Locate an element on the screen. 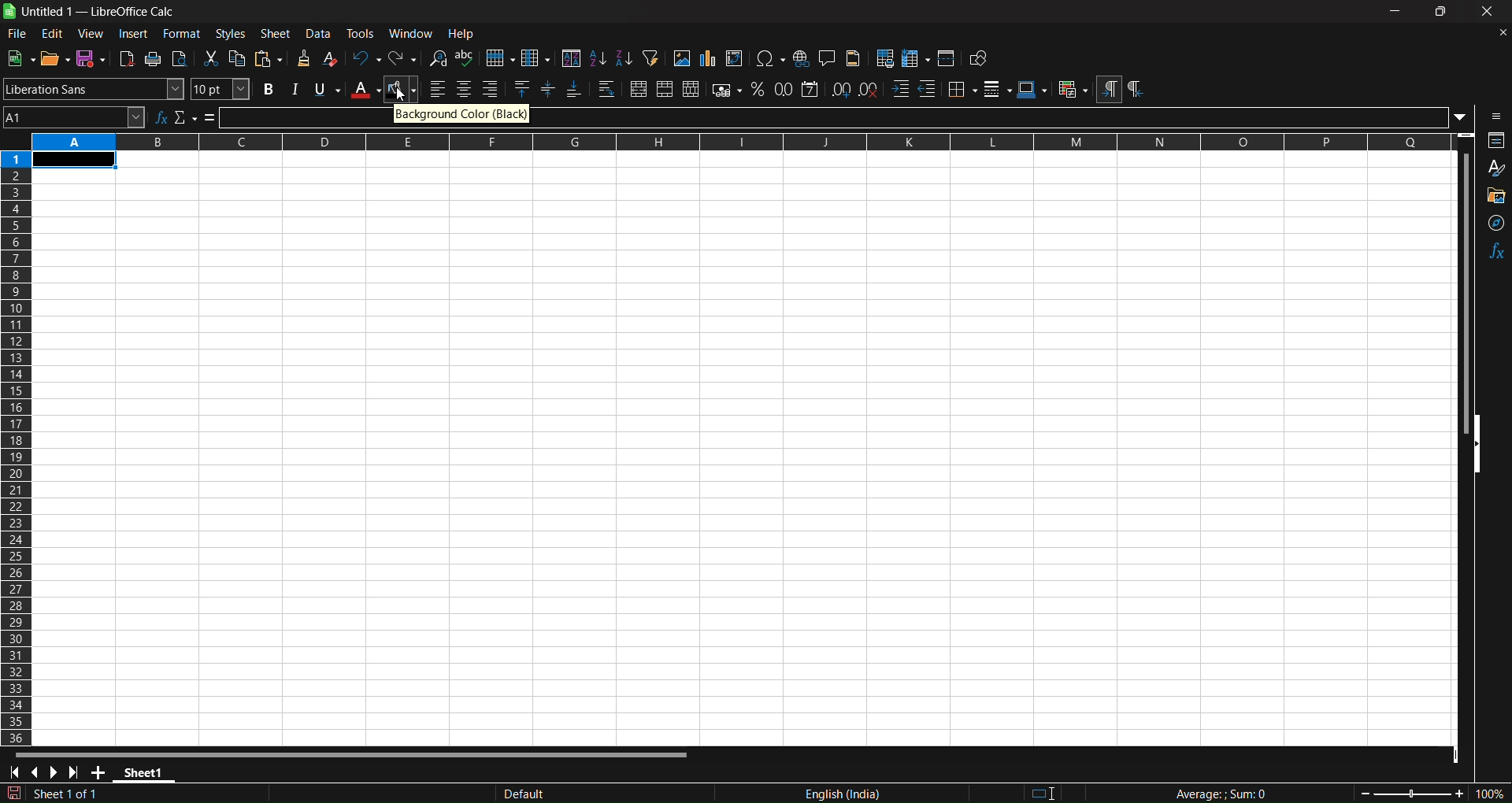  title is located at coordinates (100, 12).